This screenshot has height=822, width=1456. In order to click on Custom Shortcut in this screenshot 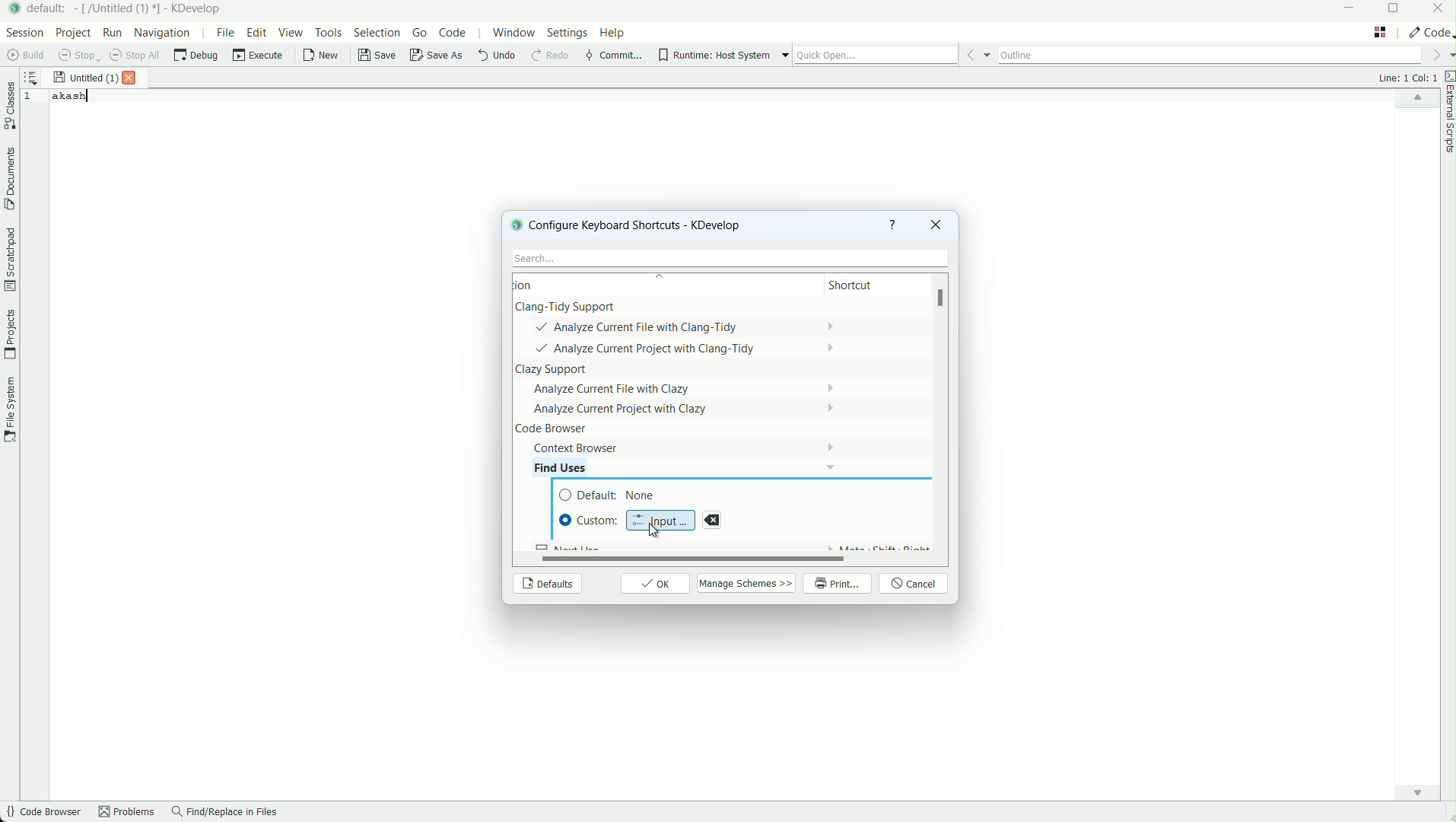, I will do `click(590, 520)`.